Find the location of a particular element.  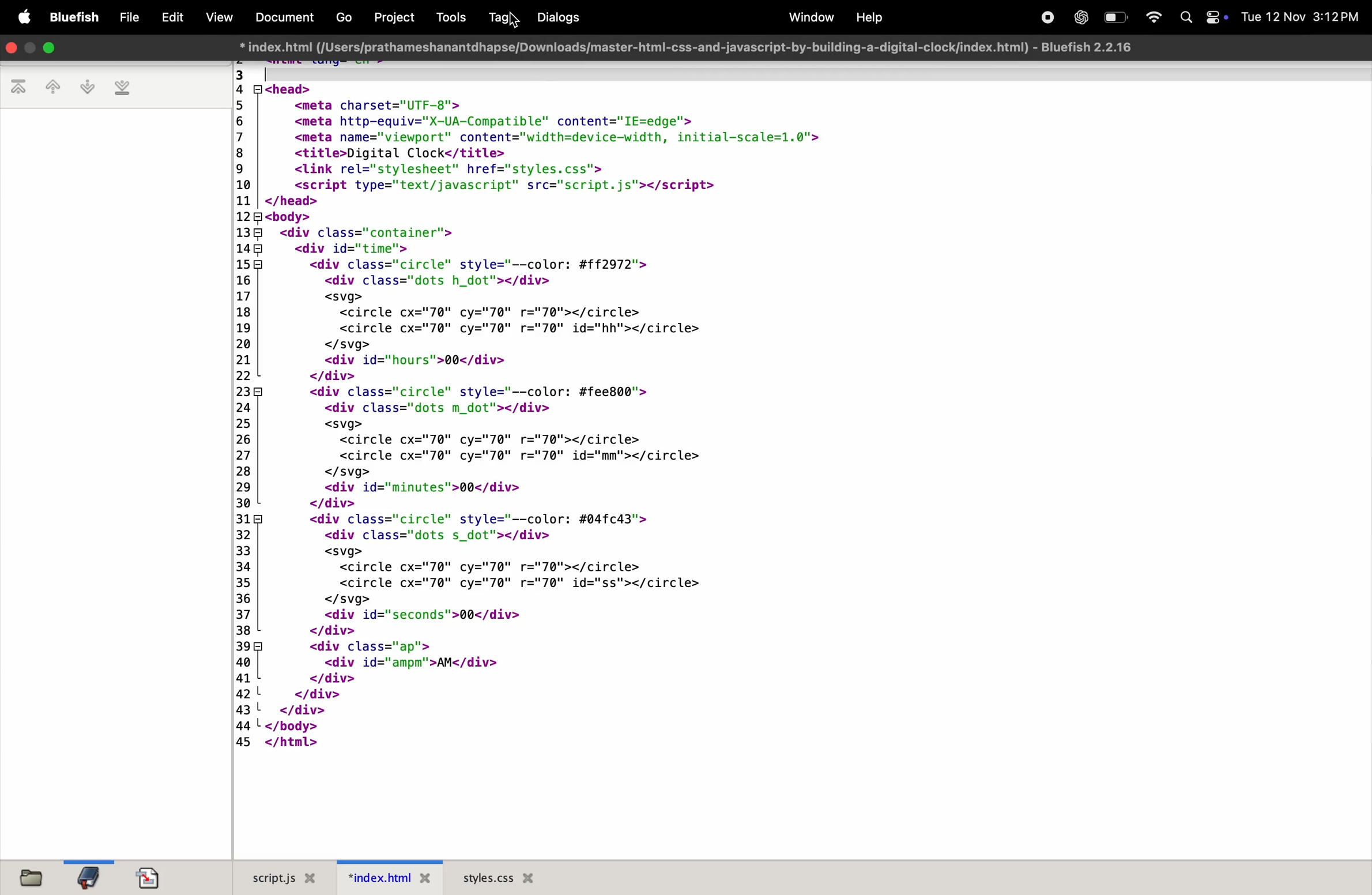

cursor is located at coordinates (515, 21).